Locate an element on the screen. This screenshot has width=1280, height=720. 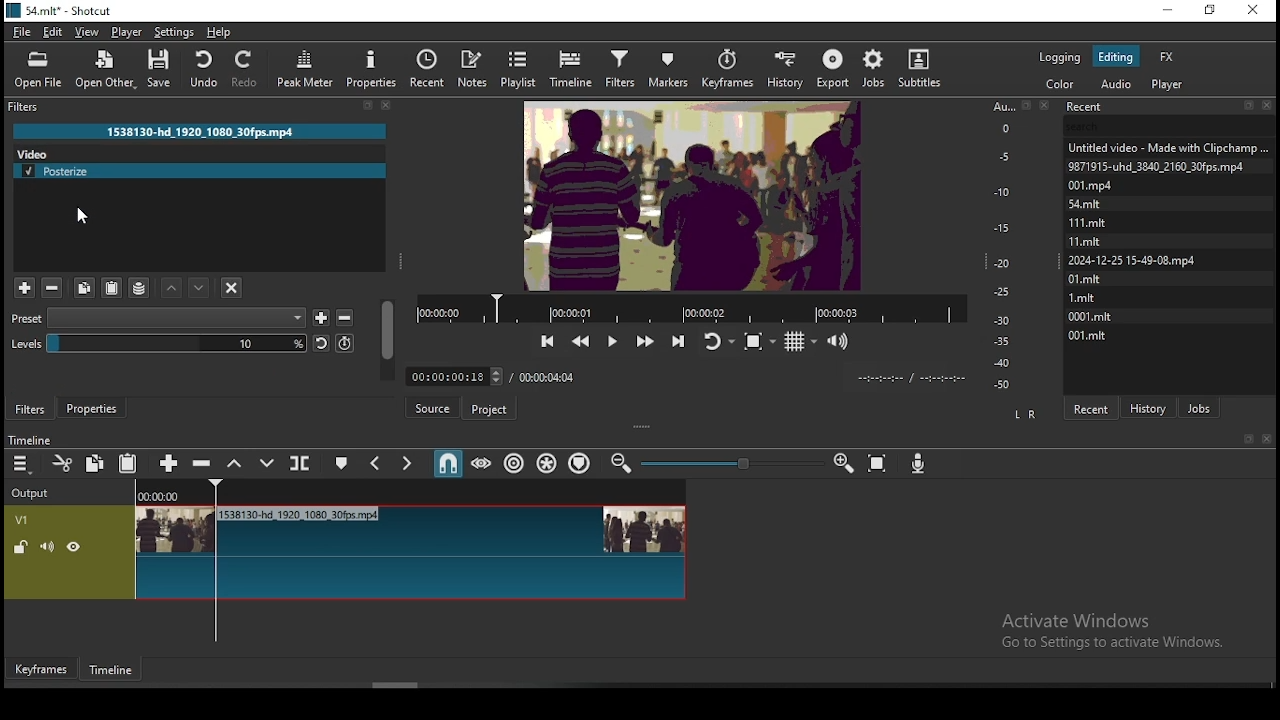
redo is located at coordinates (246, 71).